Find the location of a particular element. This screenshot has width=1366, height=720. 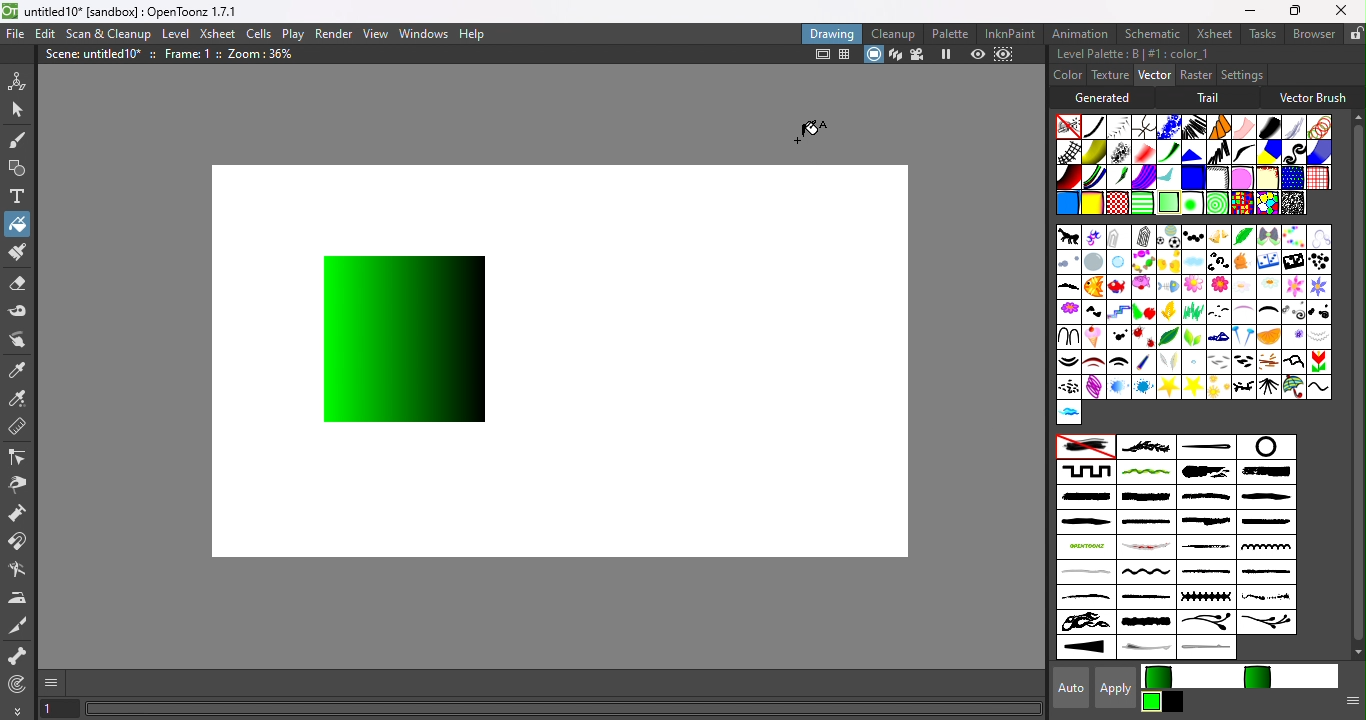

ant is located at coordinates (1068, 238).